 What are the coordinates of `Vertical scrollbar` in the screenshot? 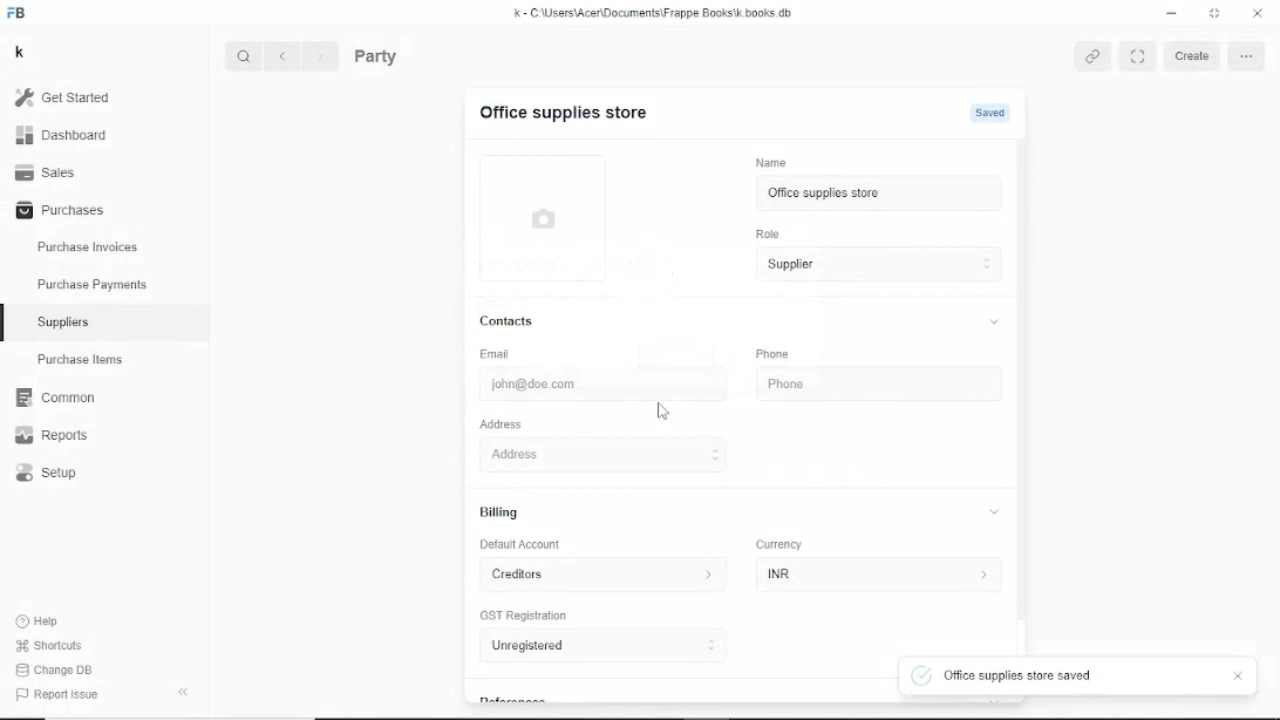 It's located at (1024, 376).